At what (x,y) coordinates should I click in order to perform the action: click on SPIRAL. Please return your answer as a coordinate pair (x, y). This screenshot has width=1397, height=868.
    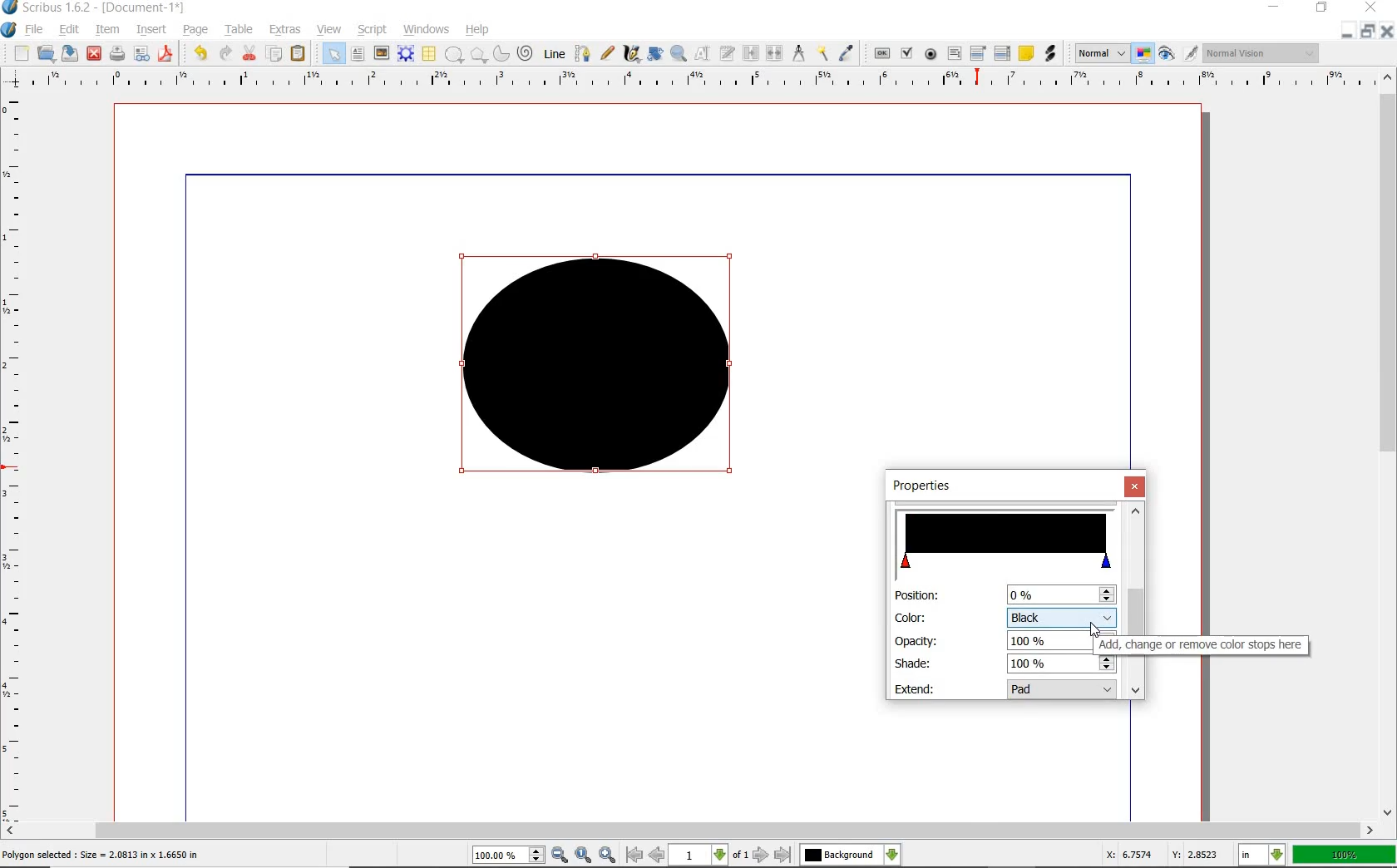
    Looking at the image, I should click on (524, 54).